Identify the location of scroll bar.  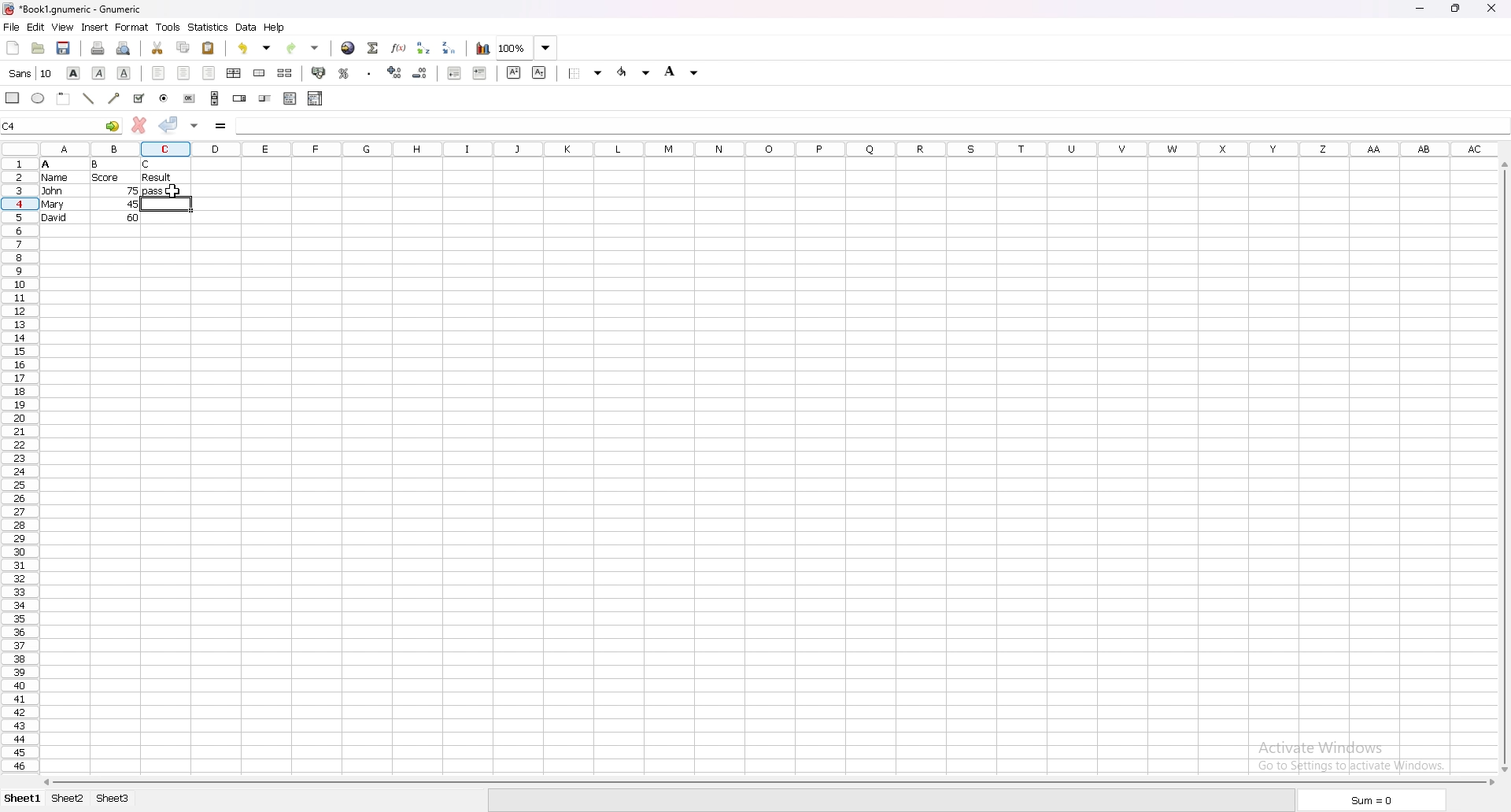
(1502, 467).